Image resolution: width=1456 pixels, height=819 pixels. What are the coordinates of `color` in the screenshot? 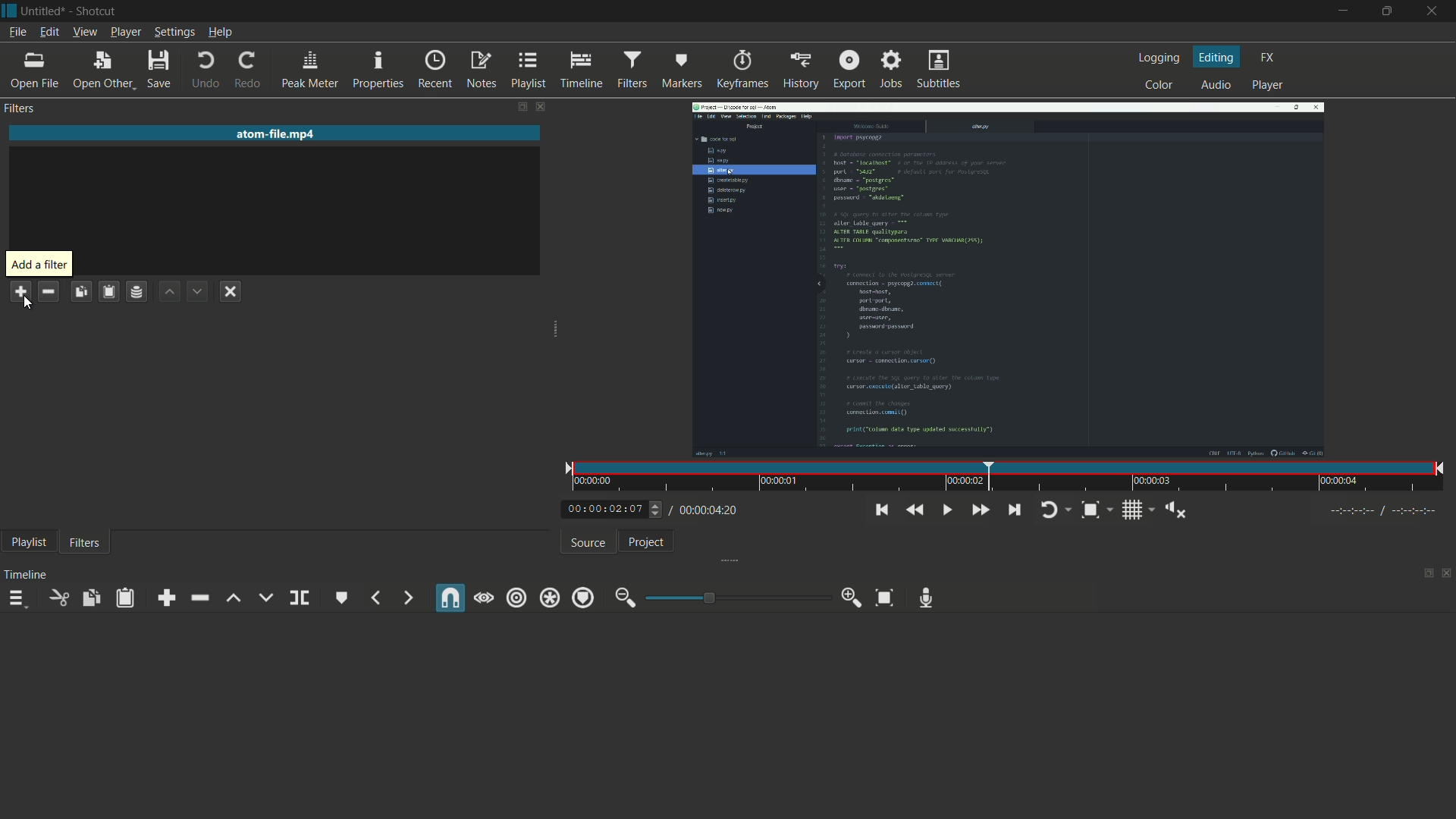 It's located at (1159, 85).